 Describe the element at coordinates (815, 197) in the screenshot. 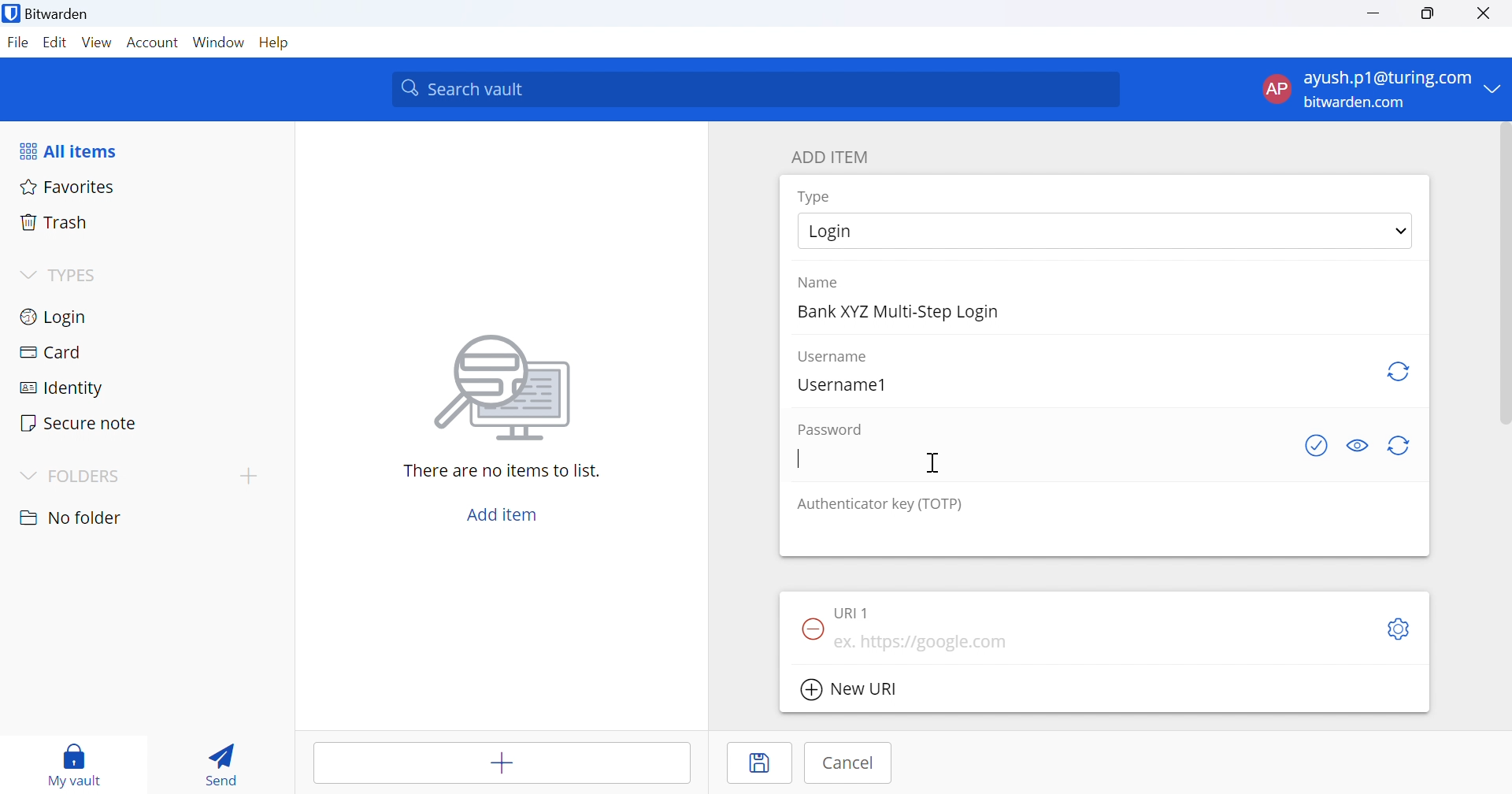

I see `Type` at that location.